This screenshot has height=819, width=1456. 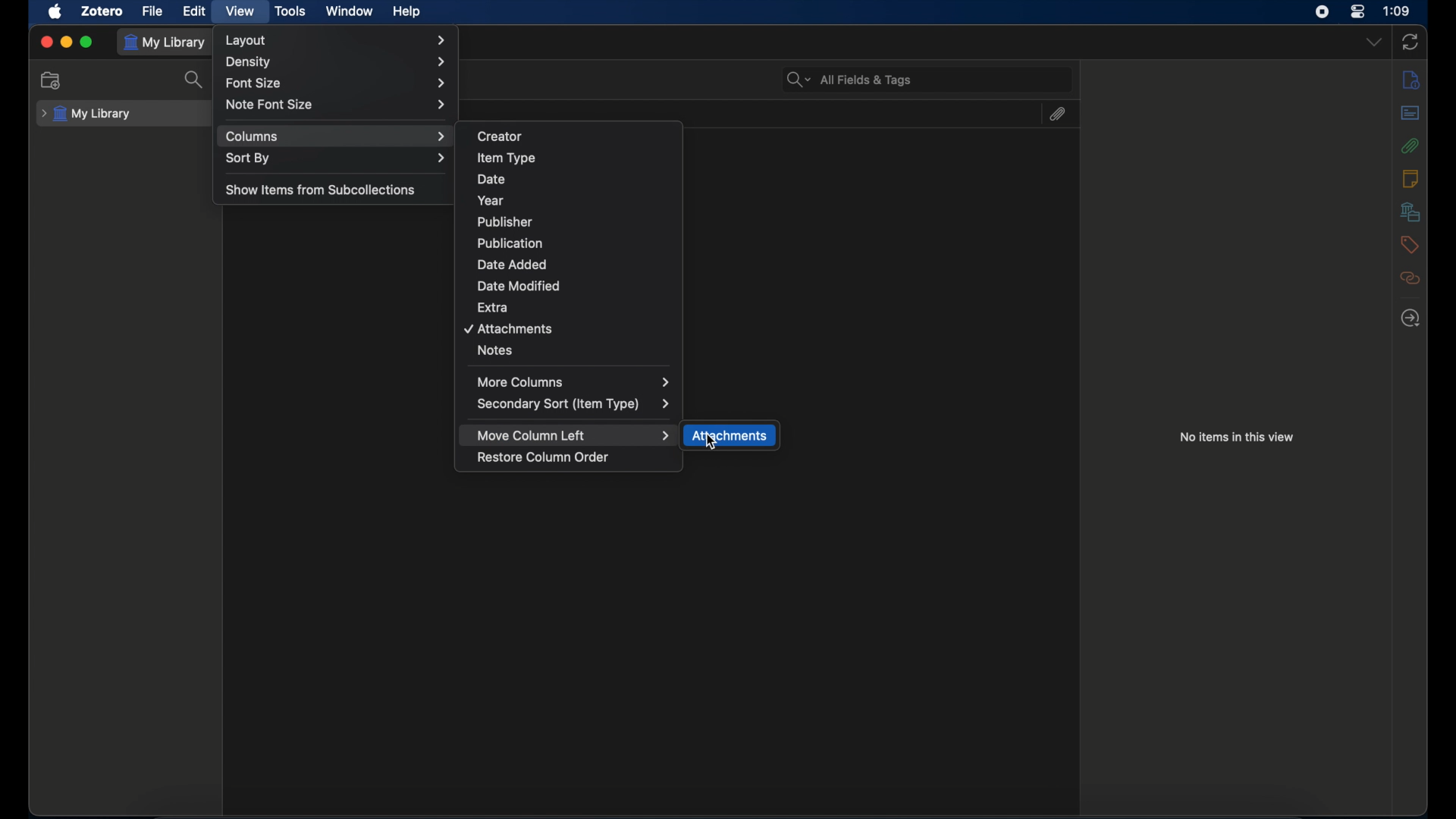 I want to click on view, so click(x=238, y=11).